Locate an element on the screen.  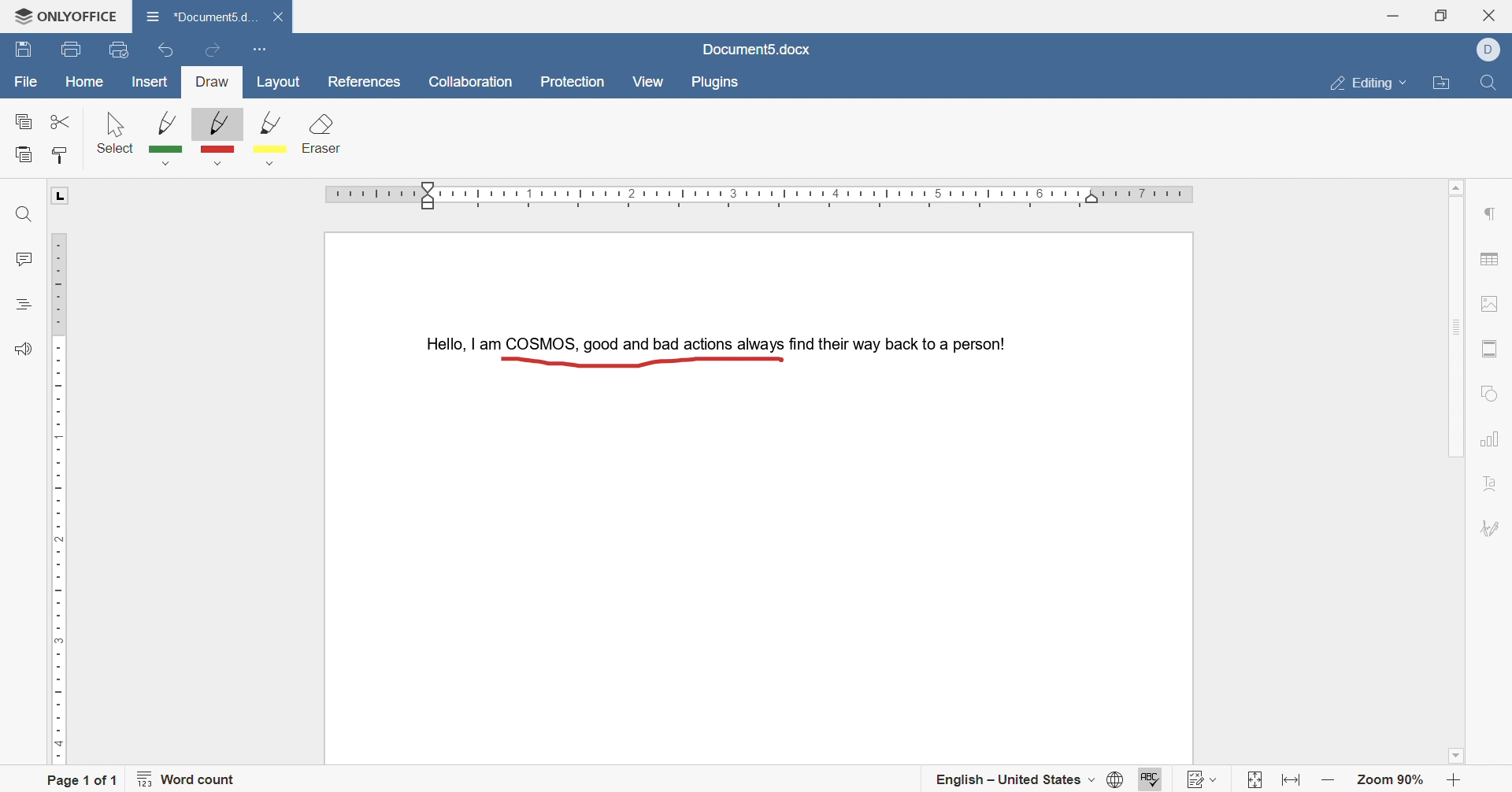
save is located at coordinates (24, 51).